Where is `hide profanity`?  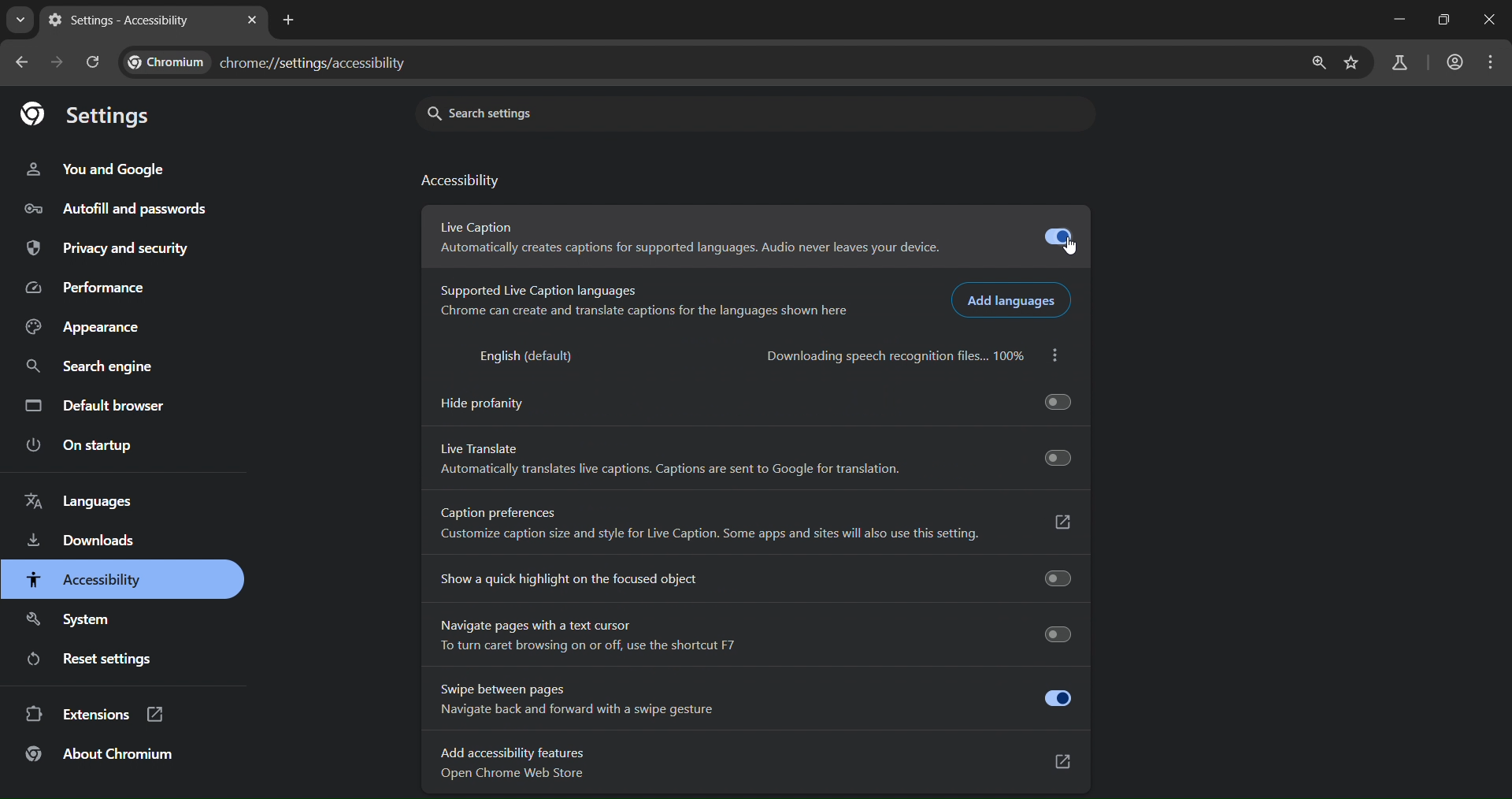
hide profanity is located at coordinates (760, 405).